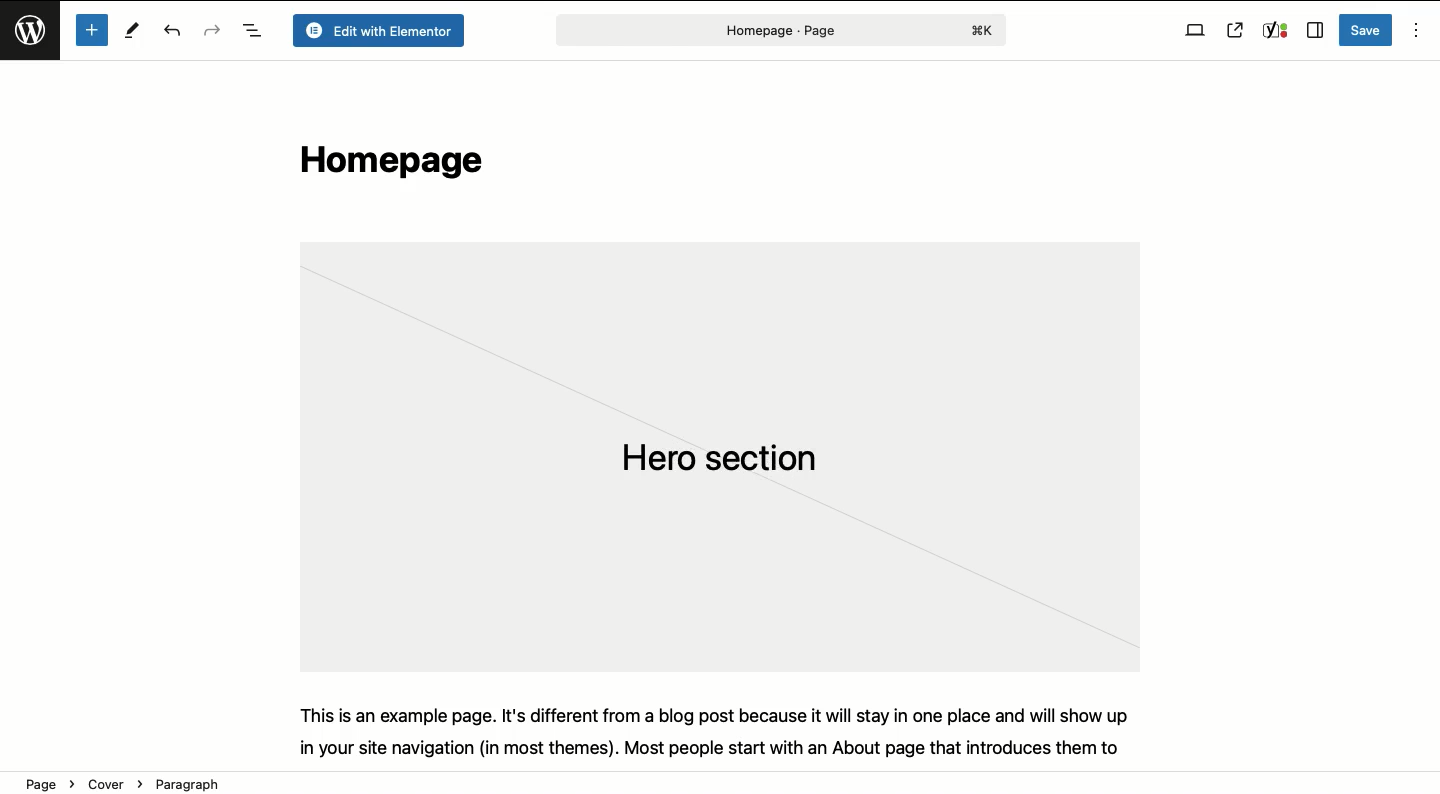 This screenshot has width=1440, height=794. Describe the element at coordinates (778, 30) in the screenshot. I see `Page` at that location.